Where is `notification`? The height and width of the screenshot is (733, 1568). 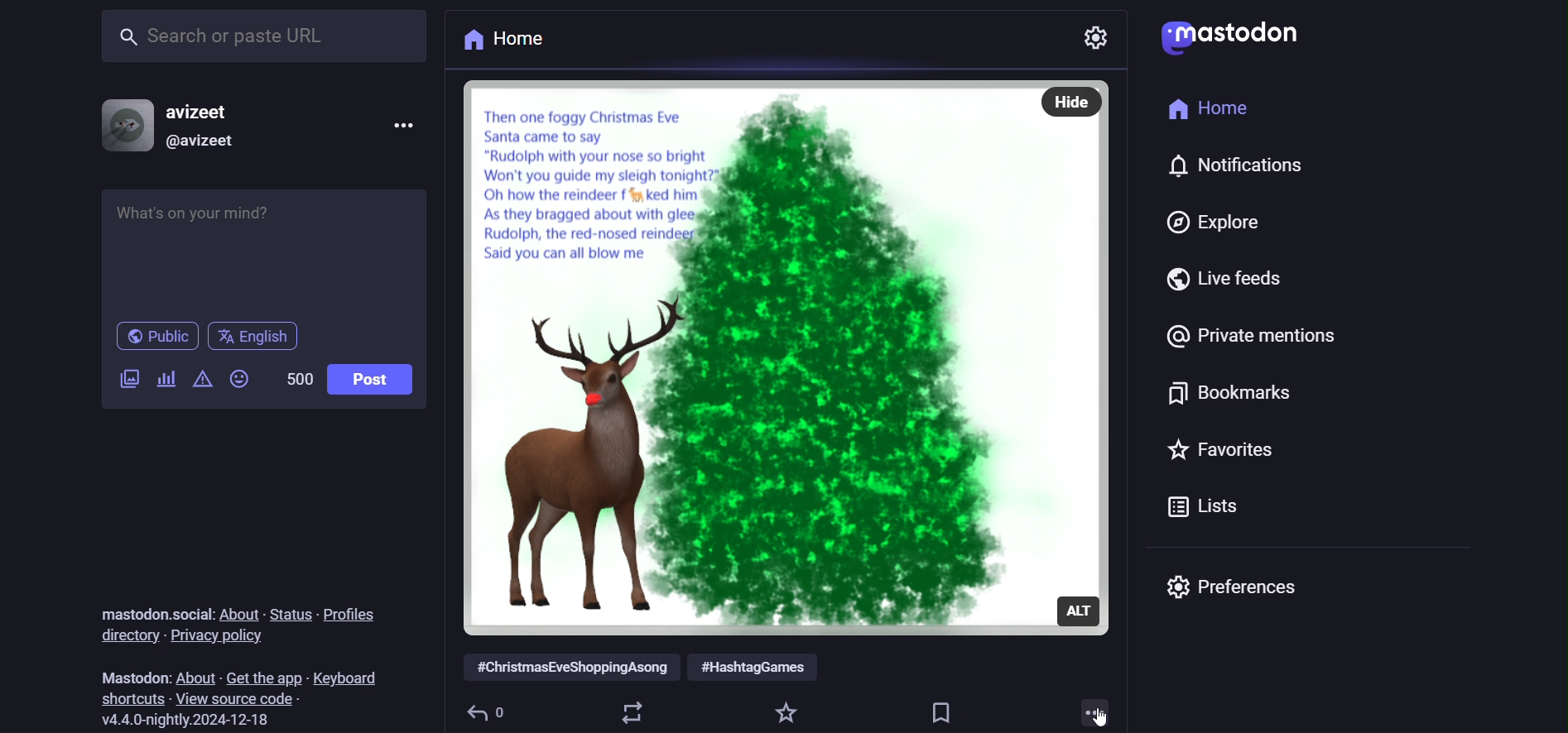
notification is located at coordinates (1231, 165).